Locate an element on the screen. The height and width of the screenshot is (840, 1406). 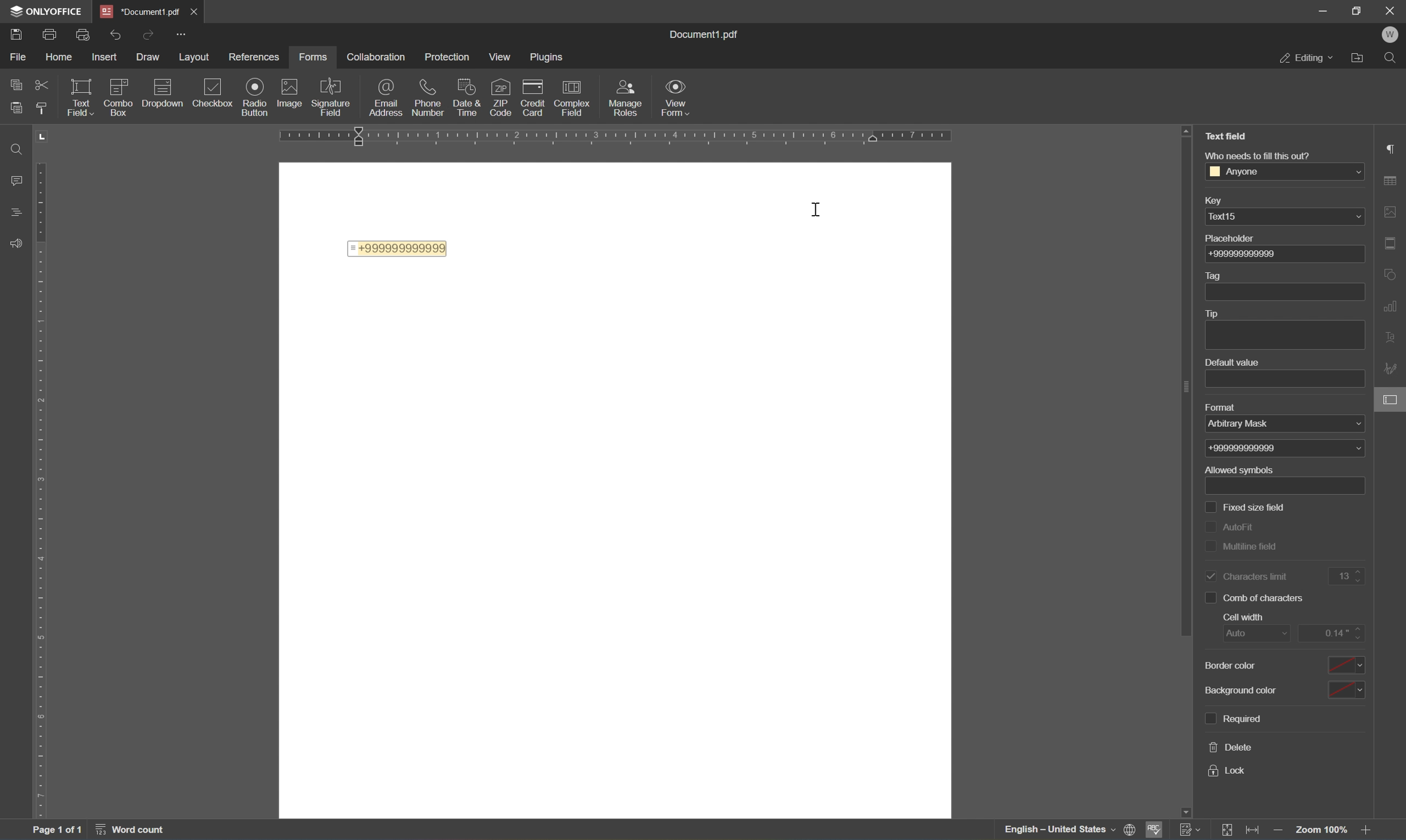
email address is located at coordinates (385, 99).